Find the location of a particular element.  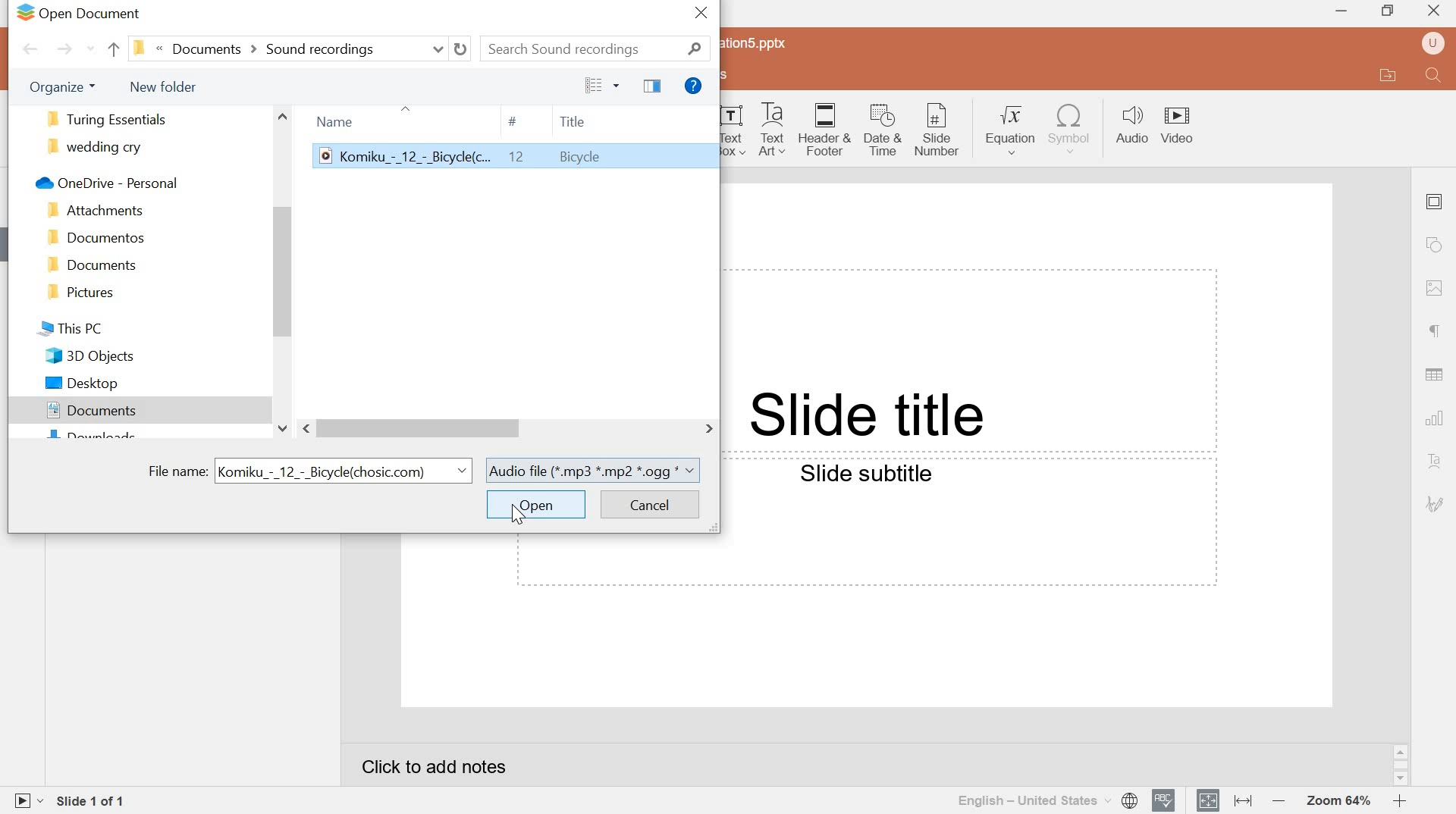

MINIMIZE is located at coordinates (1342, 13).